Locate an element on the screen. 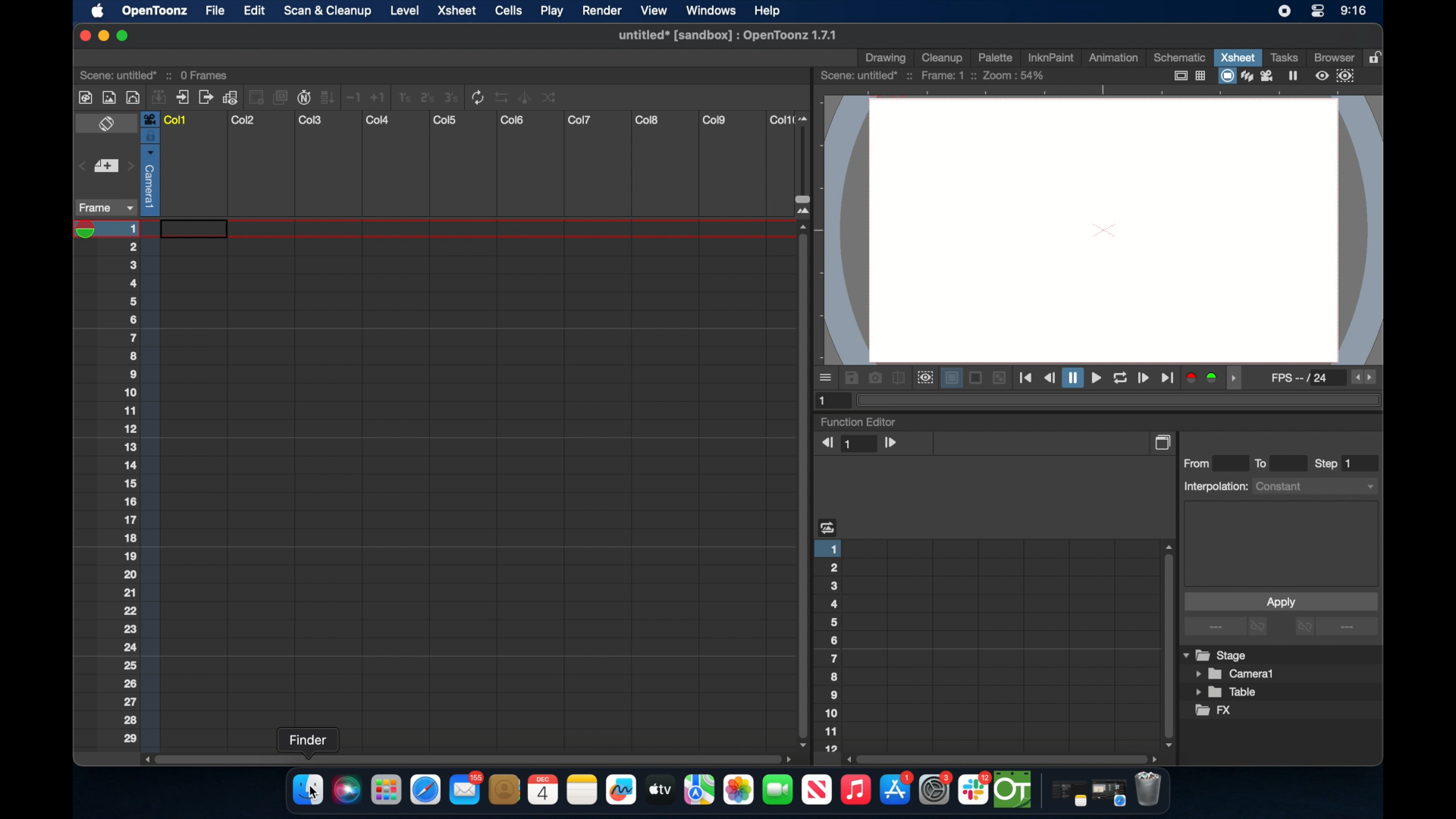 This screenshot has width=1456, height=819. opentoonz is located at coordinates (1014, 790).